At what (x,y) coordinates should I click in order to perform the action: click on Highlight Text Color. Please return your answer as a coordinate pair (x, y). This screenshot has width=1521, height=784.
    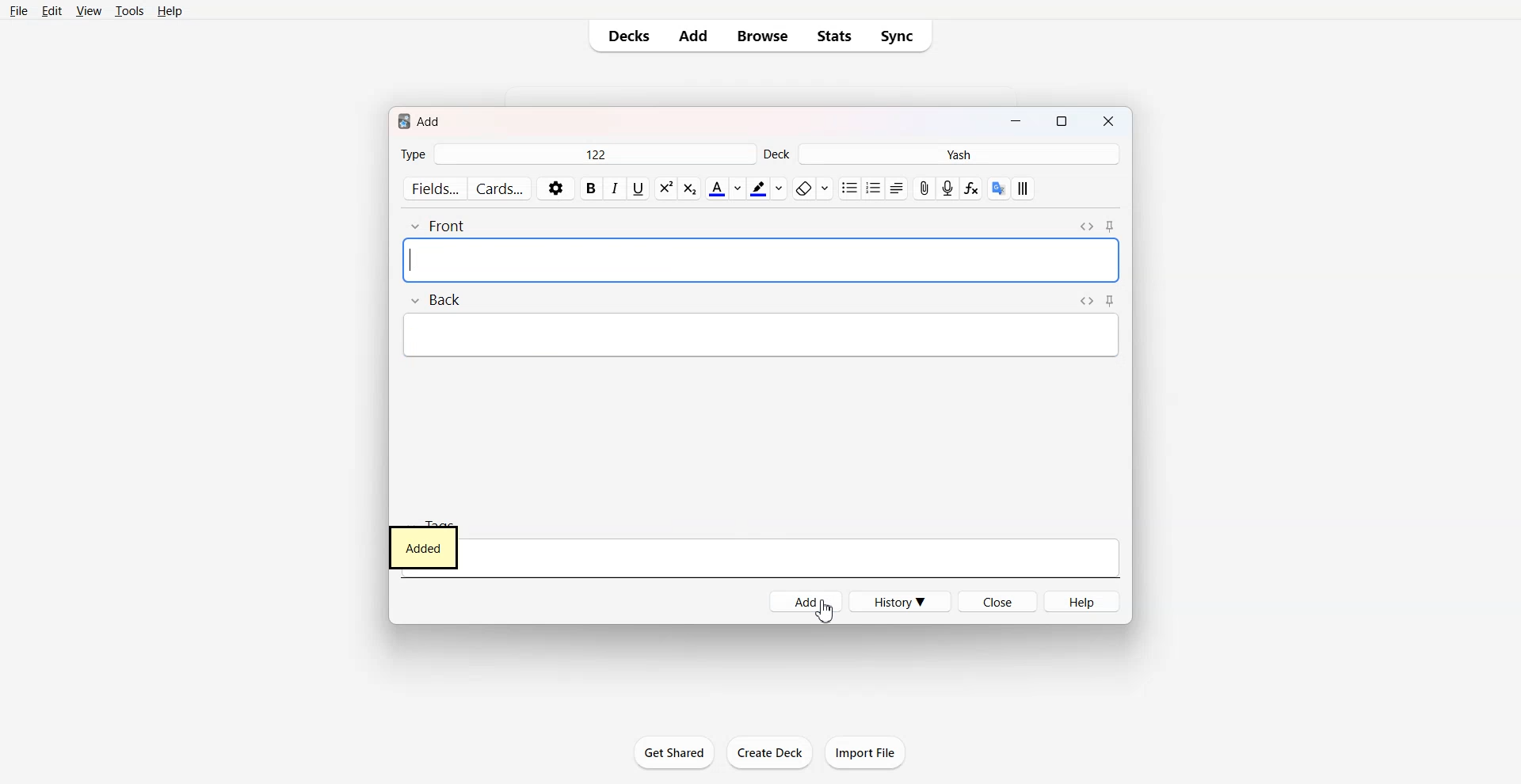
    Looking at the image, I should click on (767, 188).